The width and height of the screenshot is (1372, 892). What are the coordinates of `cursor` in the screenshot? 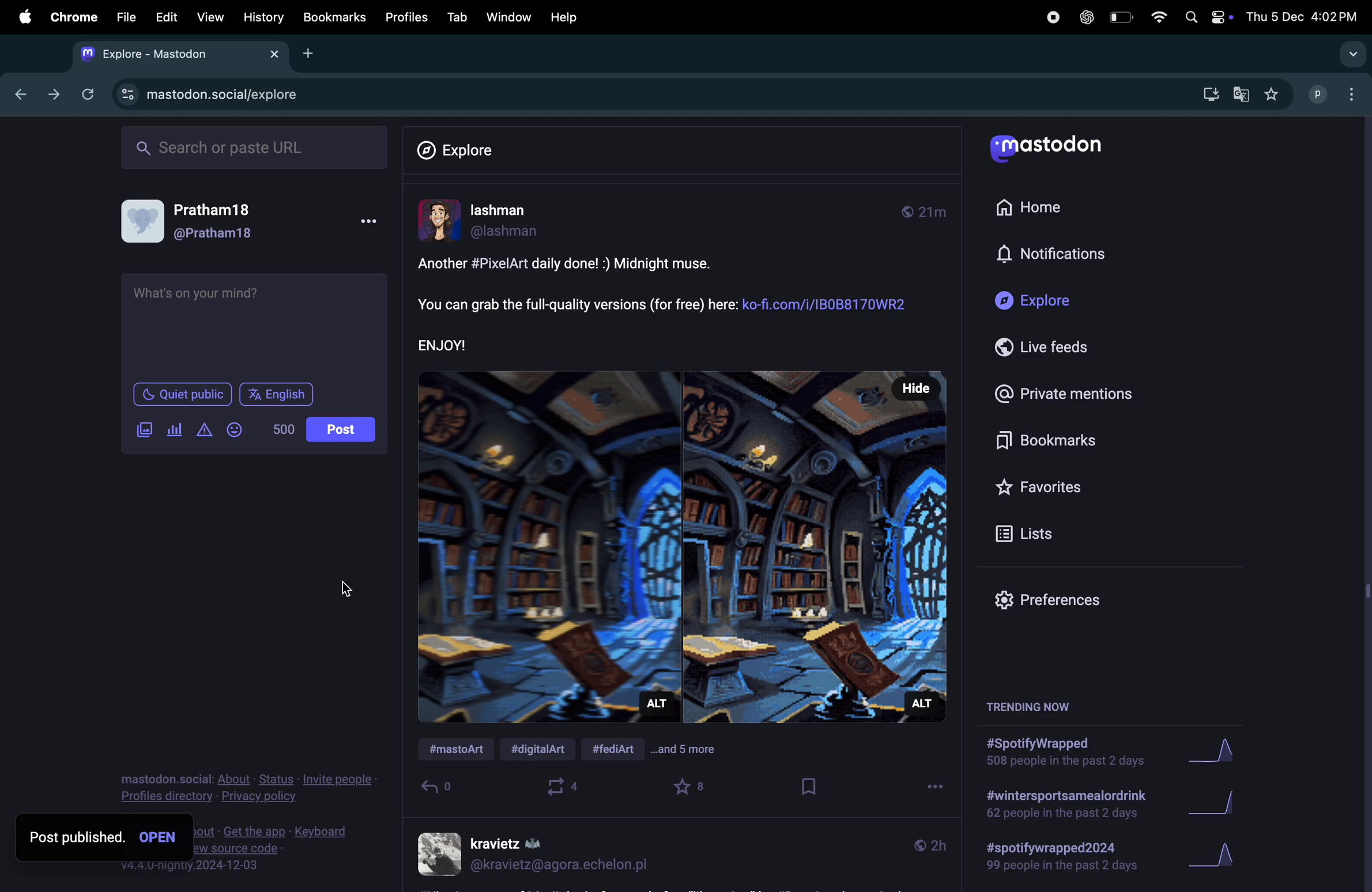 It's located at (349, 590).